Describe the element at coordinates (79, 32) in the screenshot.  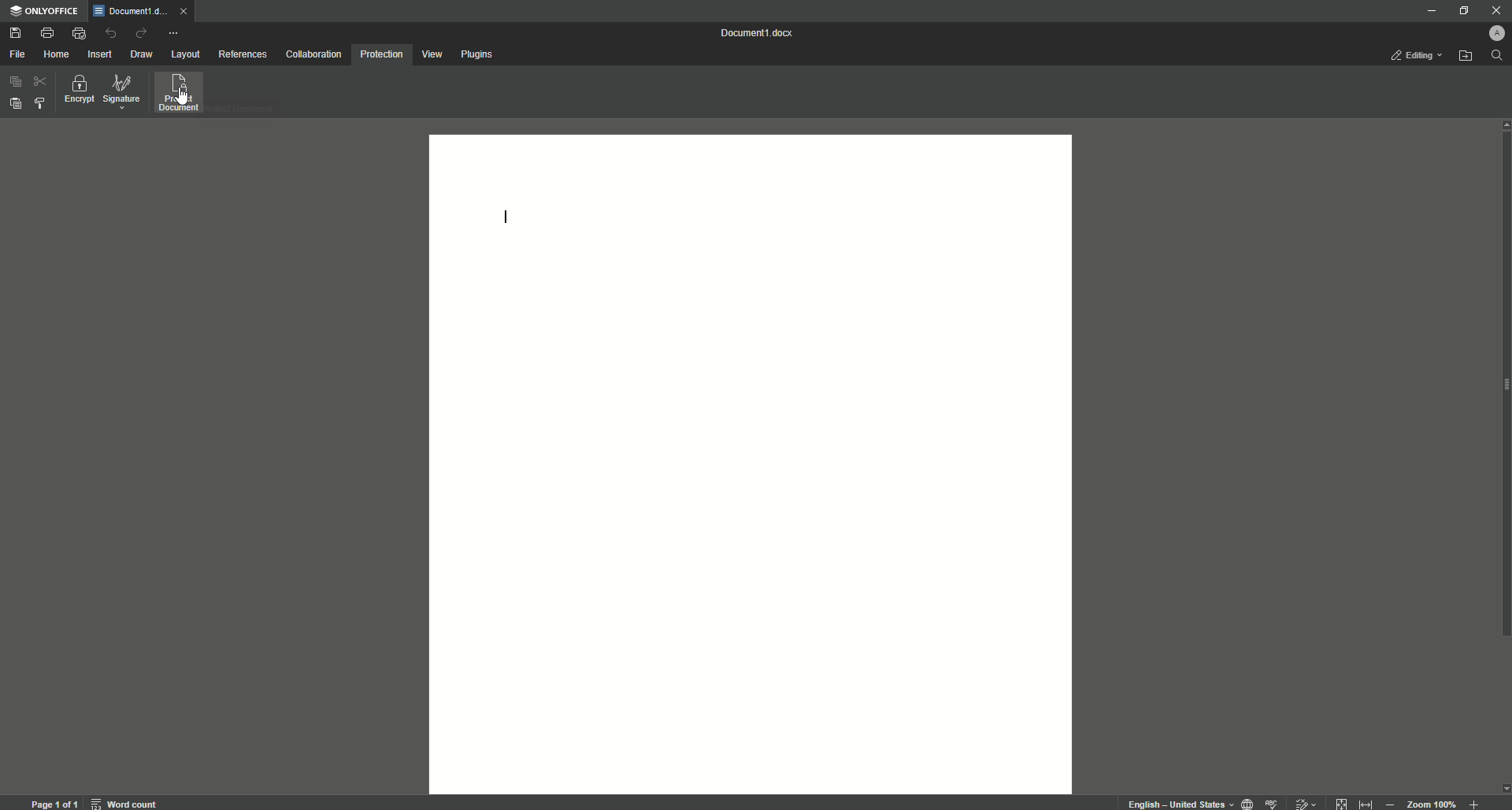
I see `Quick Print` at that location.